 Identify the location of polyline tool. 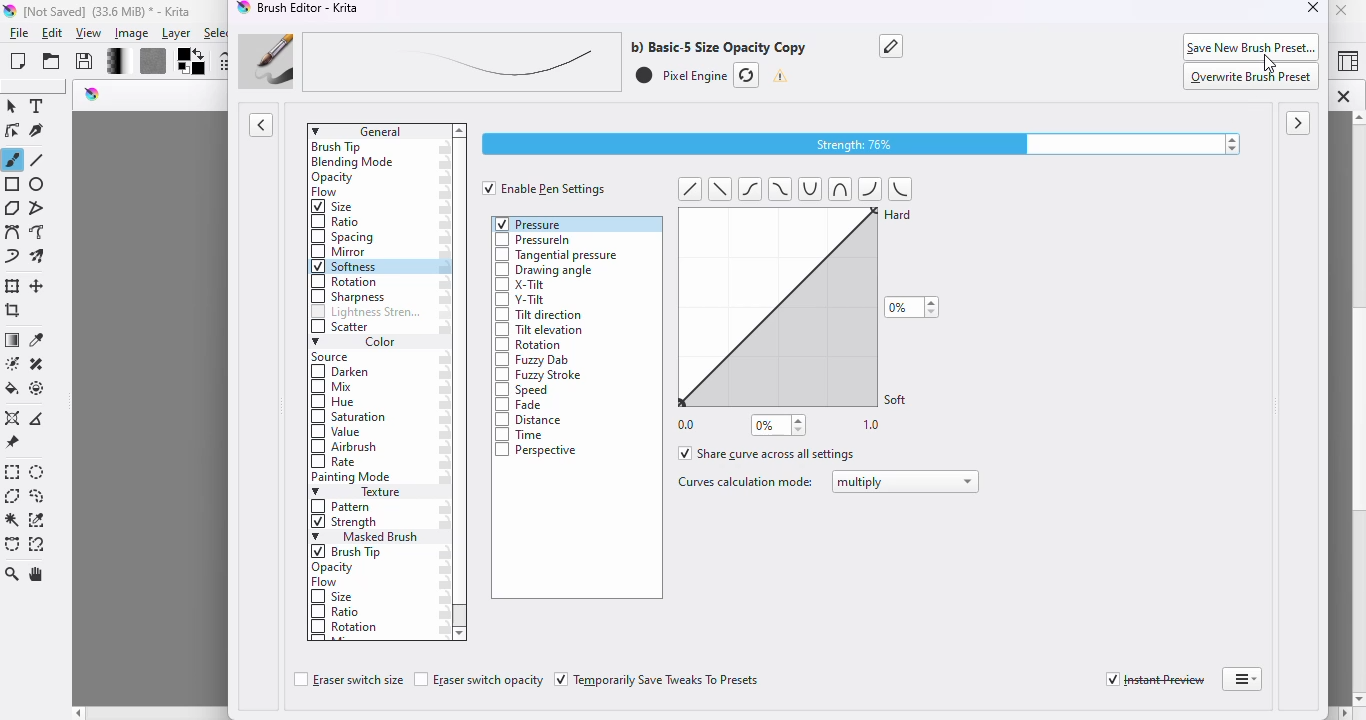
(40, 207).